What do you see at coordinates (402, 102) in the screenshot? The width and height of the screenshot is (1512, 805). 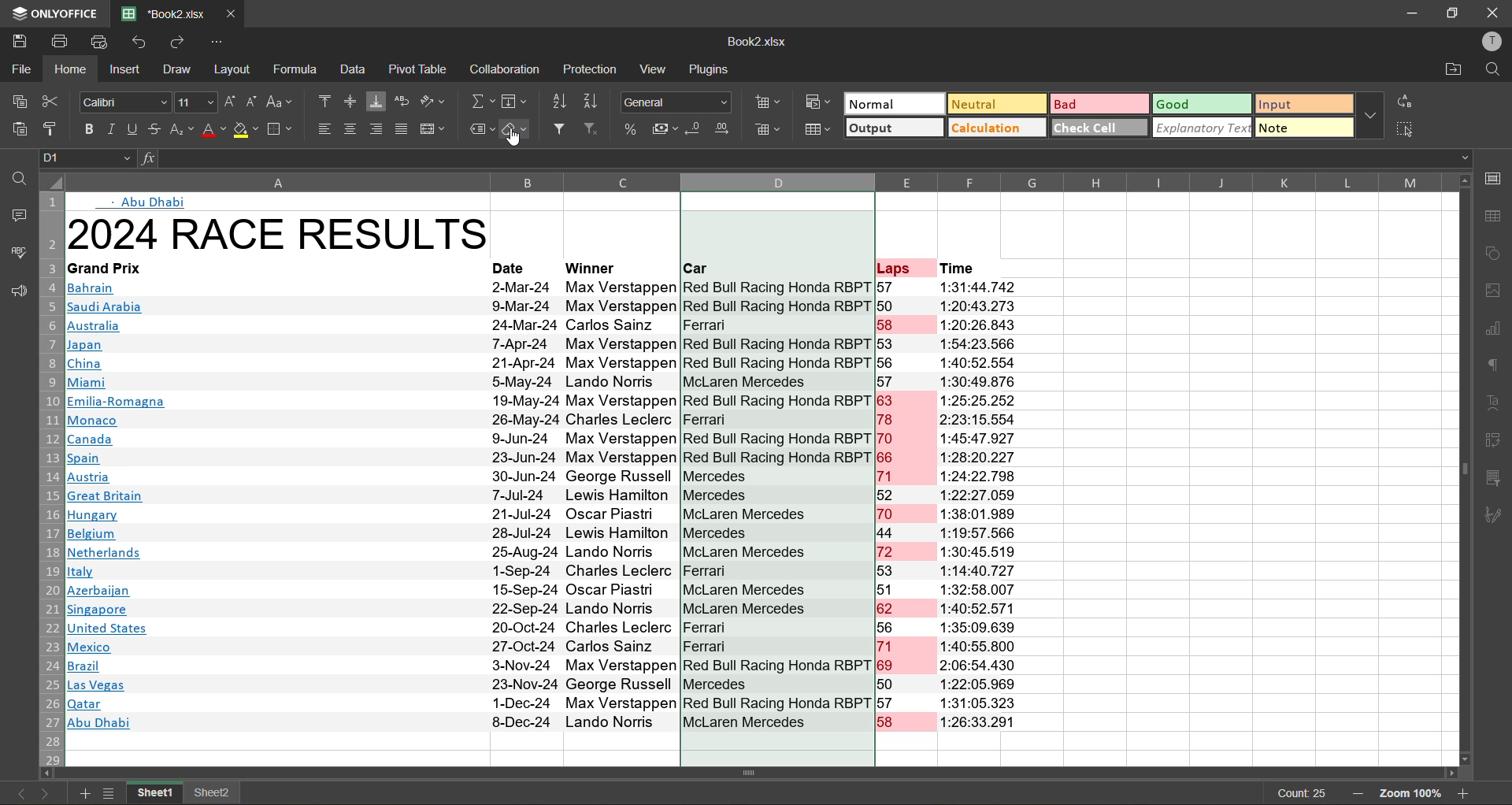 I see `wrap text` at bounding box center [402, 102].